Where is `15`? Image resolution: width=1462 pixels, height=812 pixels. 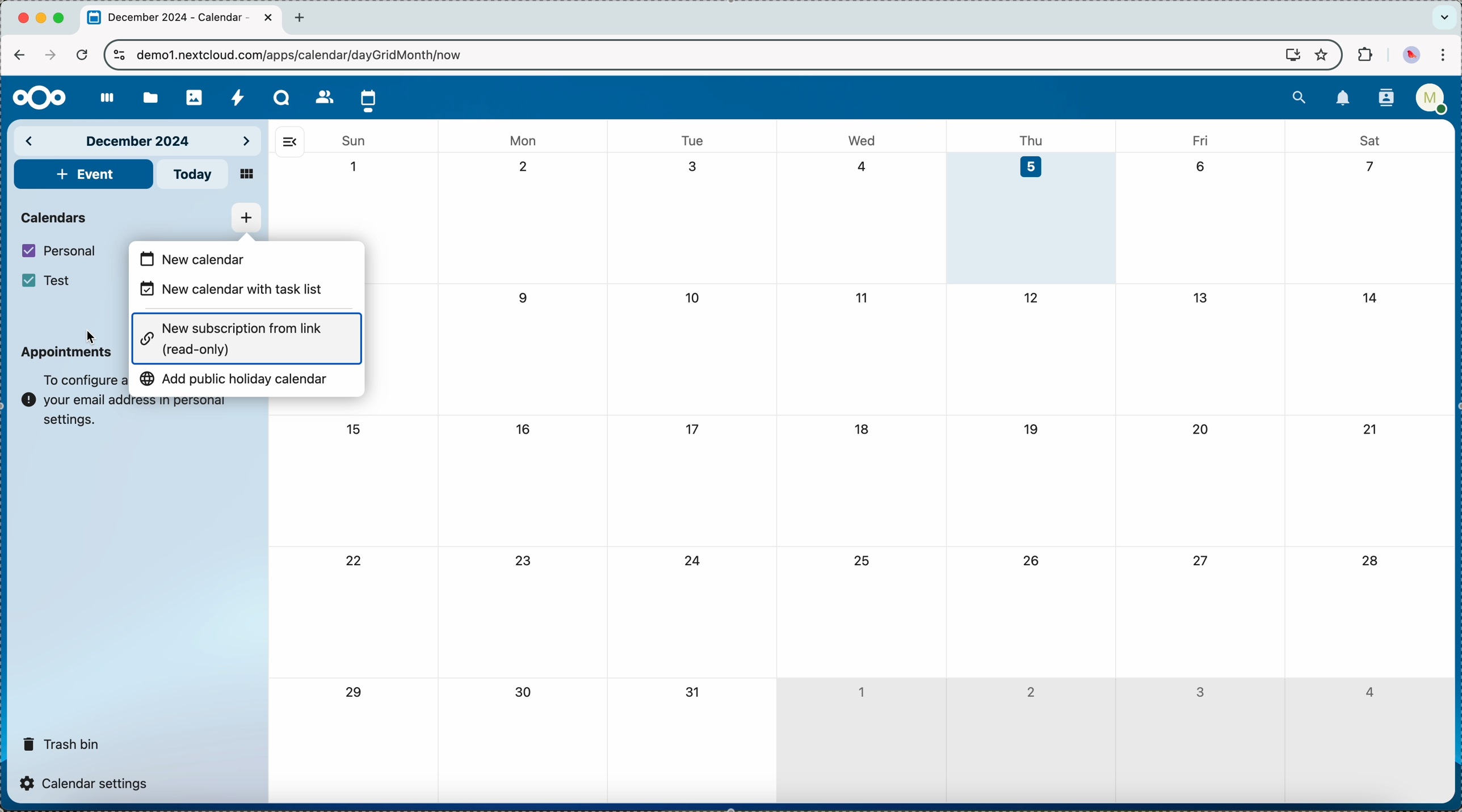 15 is located at coordinates (352, 429).